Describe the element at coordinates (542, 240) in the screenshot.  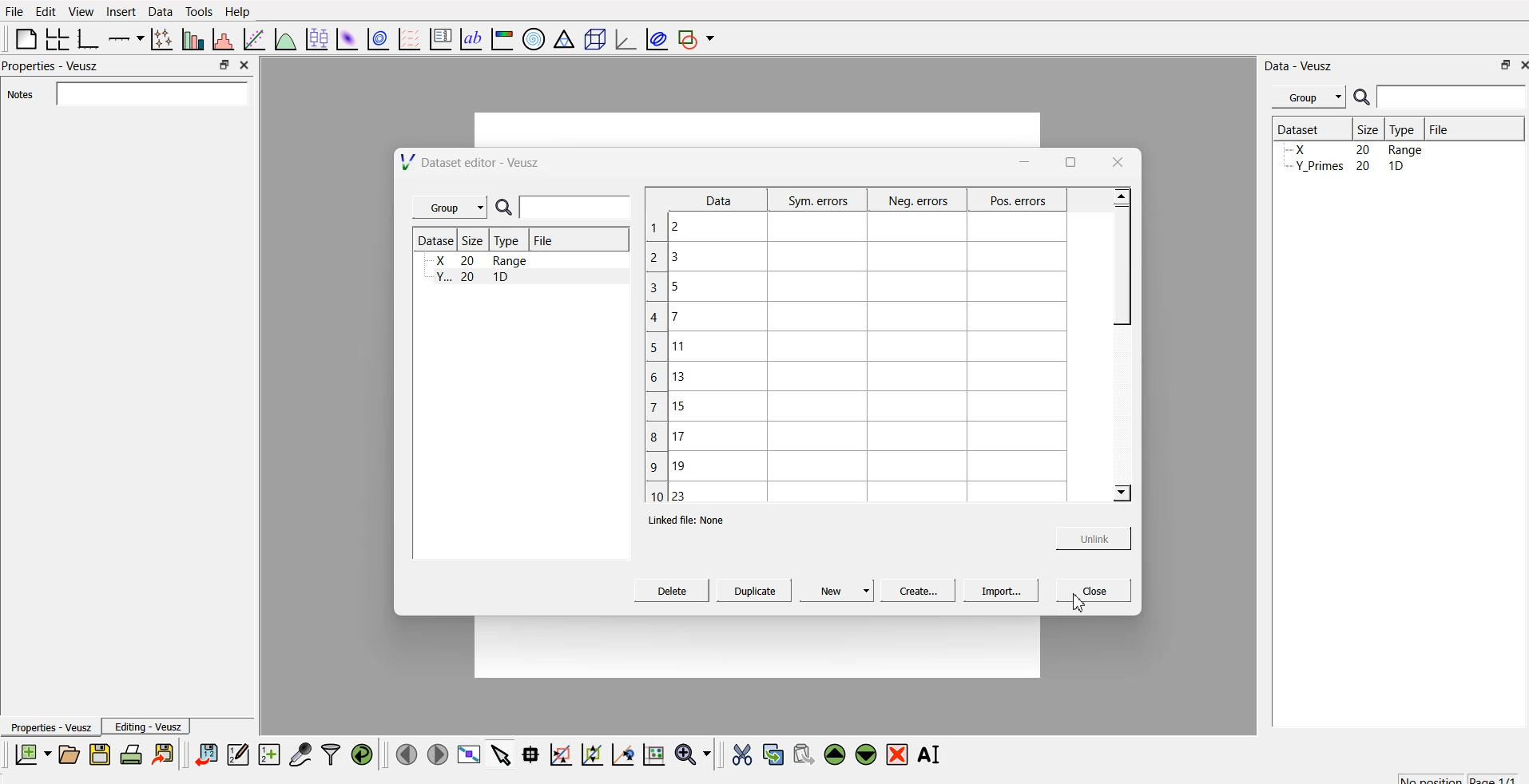
I see `| File` at that location.